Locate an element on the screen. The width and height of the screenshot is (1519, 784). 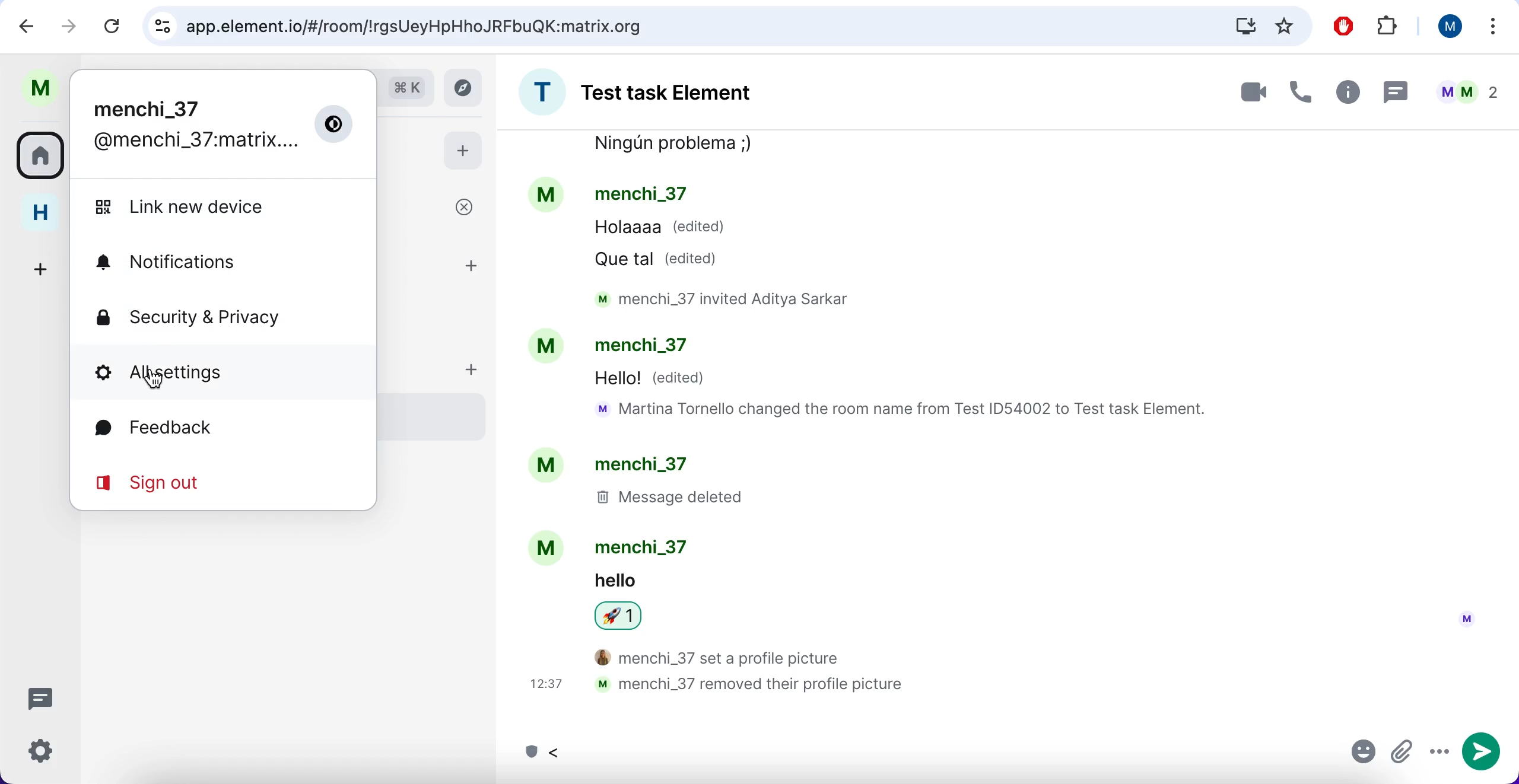
send is located at coordinates (1482, 754).